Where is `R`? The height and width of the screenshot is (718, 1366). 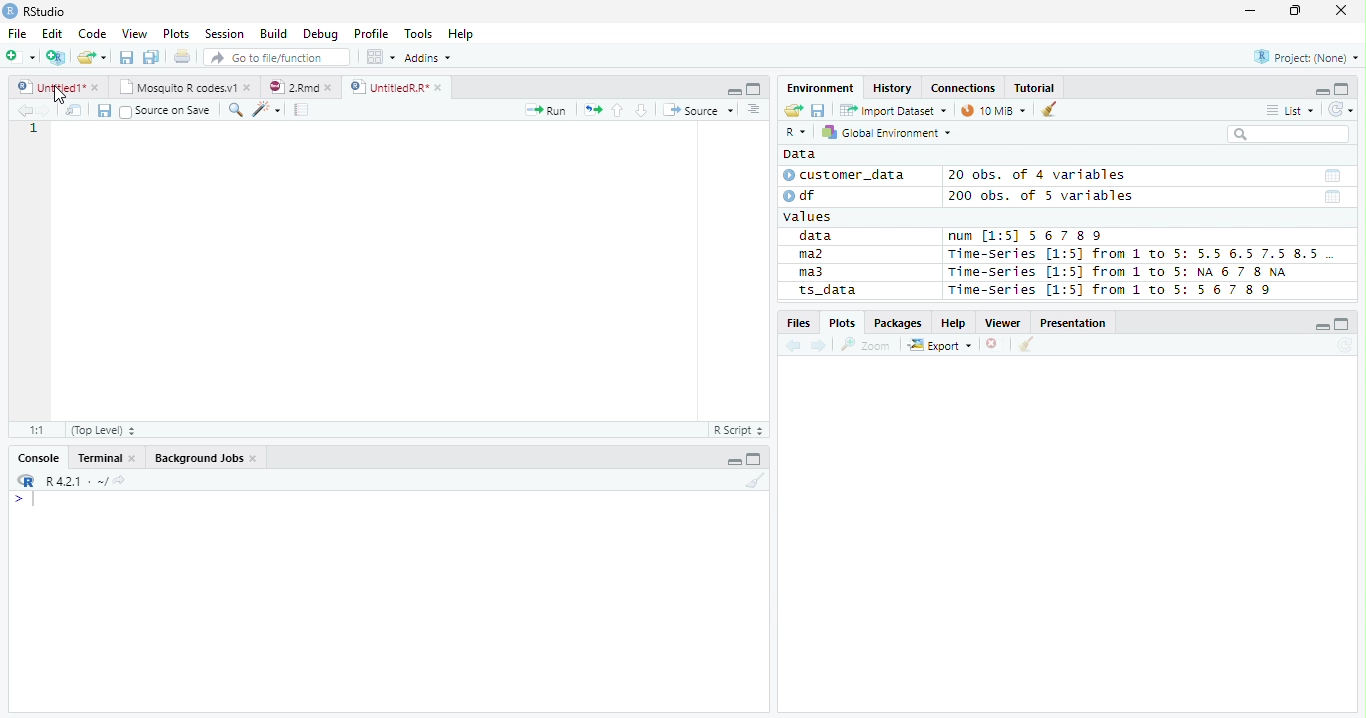 R is located at coordinates (795, 133).